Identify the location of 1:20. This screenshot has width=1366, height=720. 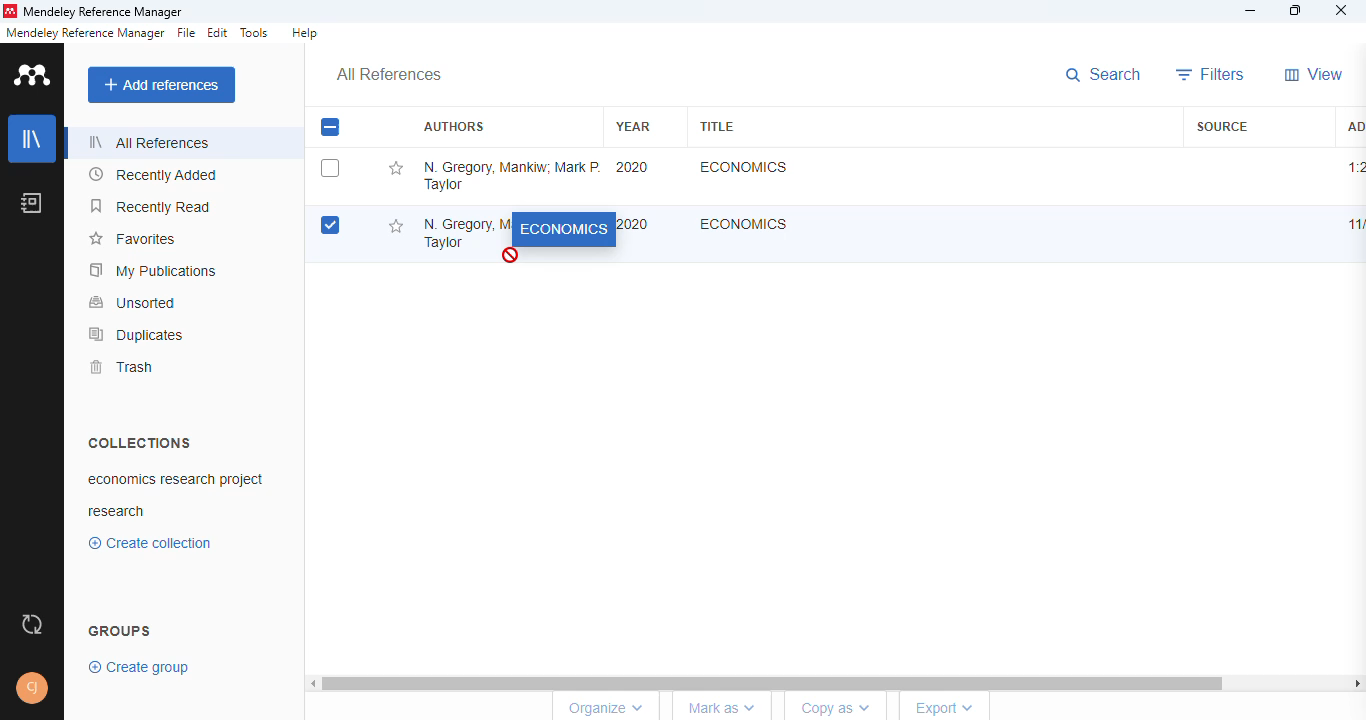
(1355, 167).